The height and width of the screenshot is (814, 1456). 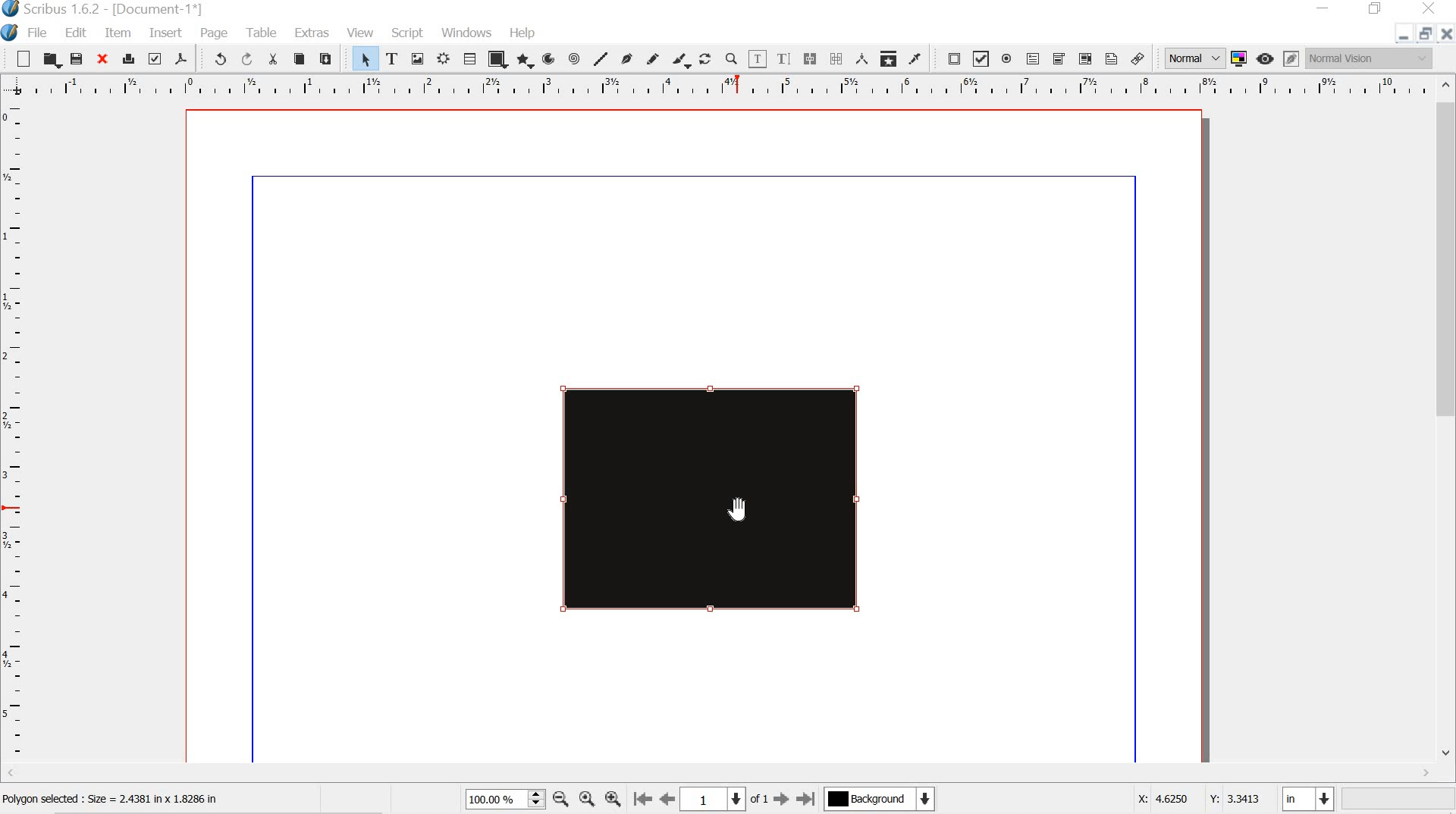 What do you see at coordinates (982, 58) in the screenshot?
I see `pdf check box` at bounding box center [982, 58].